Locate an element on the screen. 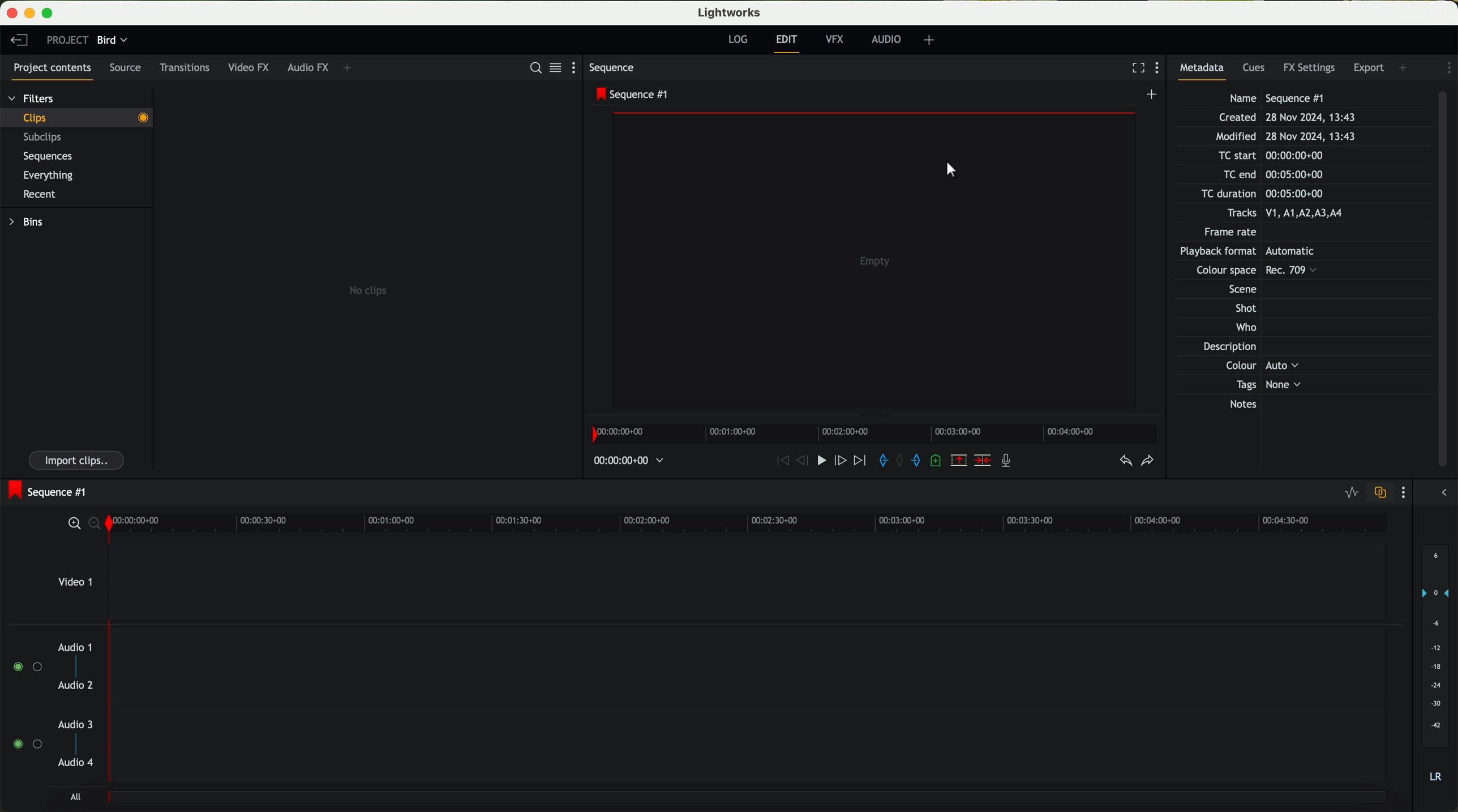 This screenshot has height=812, width=1458. minimize is located at coordinates (29, 12).